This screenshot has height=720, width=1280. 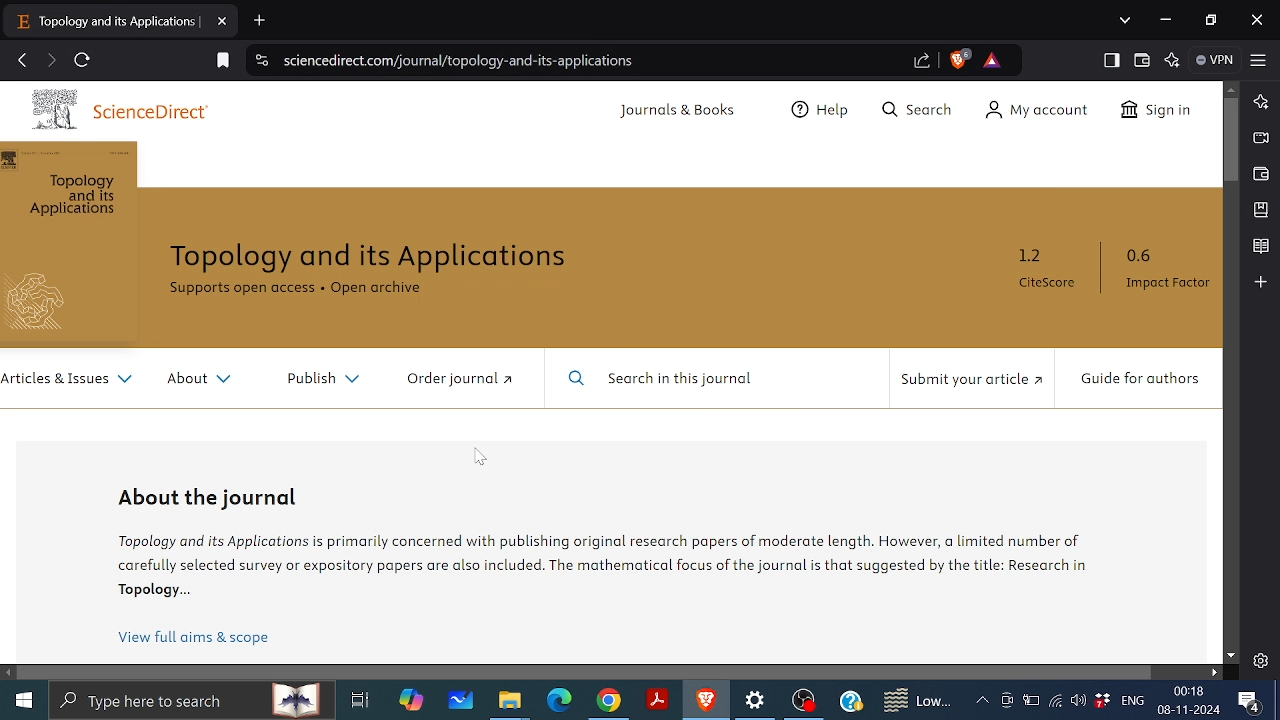 What do you see at coordinates (1260, 661) in the screenshot?
I see `Settings` at bounding box center [1260, 661].